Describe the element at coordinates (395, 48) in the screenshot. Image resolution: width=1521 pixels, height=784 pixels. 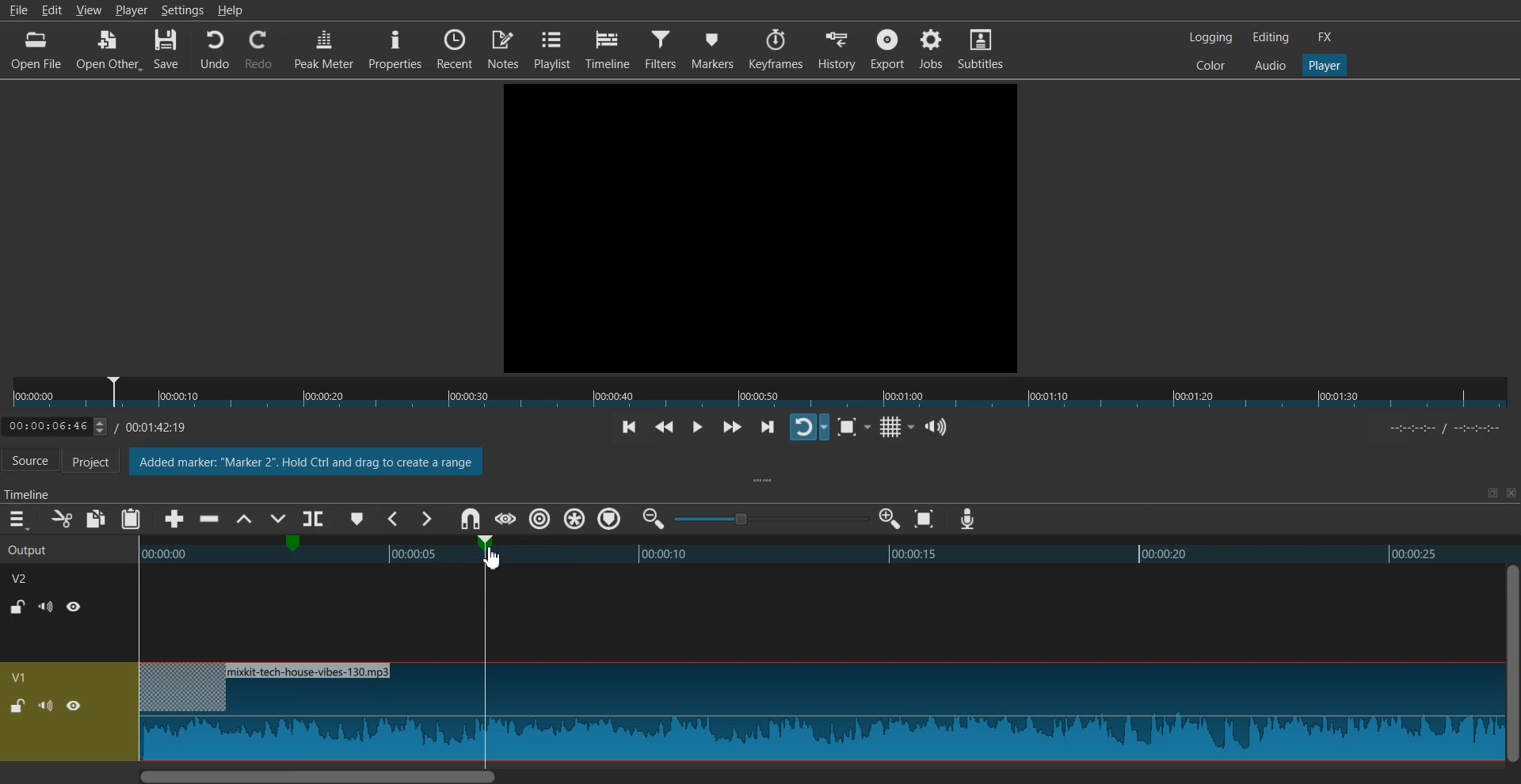
I see `Properties` at that location.